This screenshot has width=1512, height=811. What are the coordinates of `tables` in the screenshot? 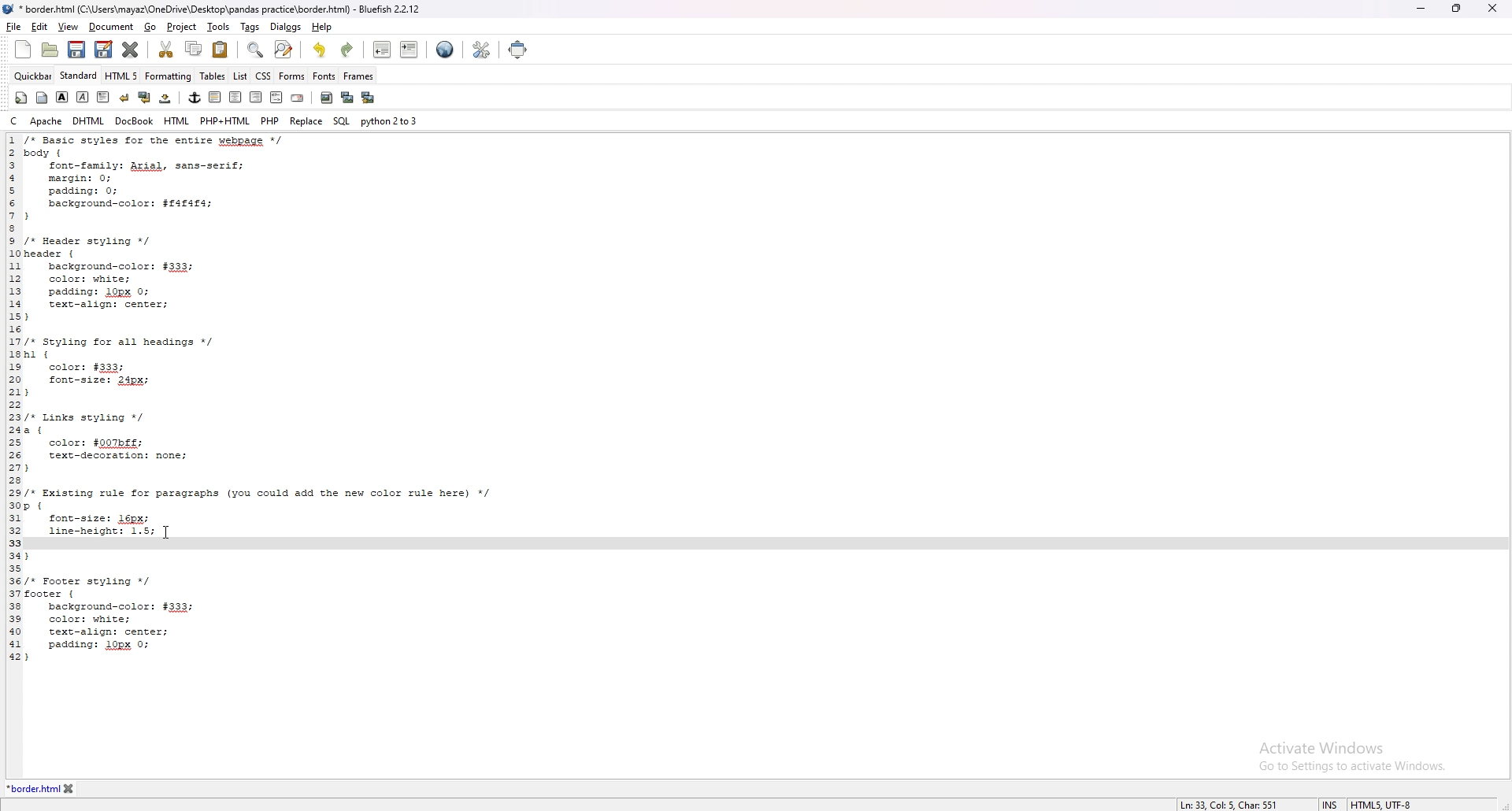 It's located at (213, 76).